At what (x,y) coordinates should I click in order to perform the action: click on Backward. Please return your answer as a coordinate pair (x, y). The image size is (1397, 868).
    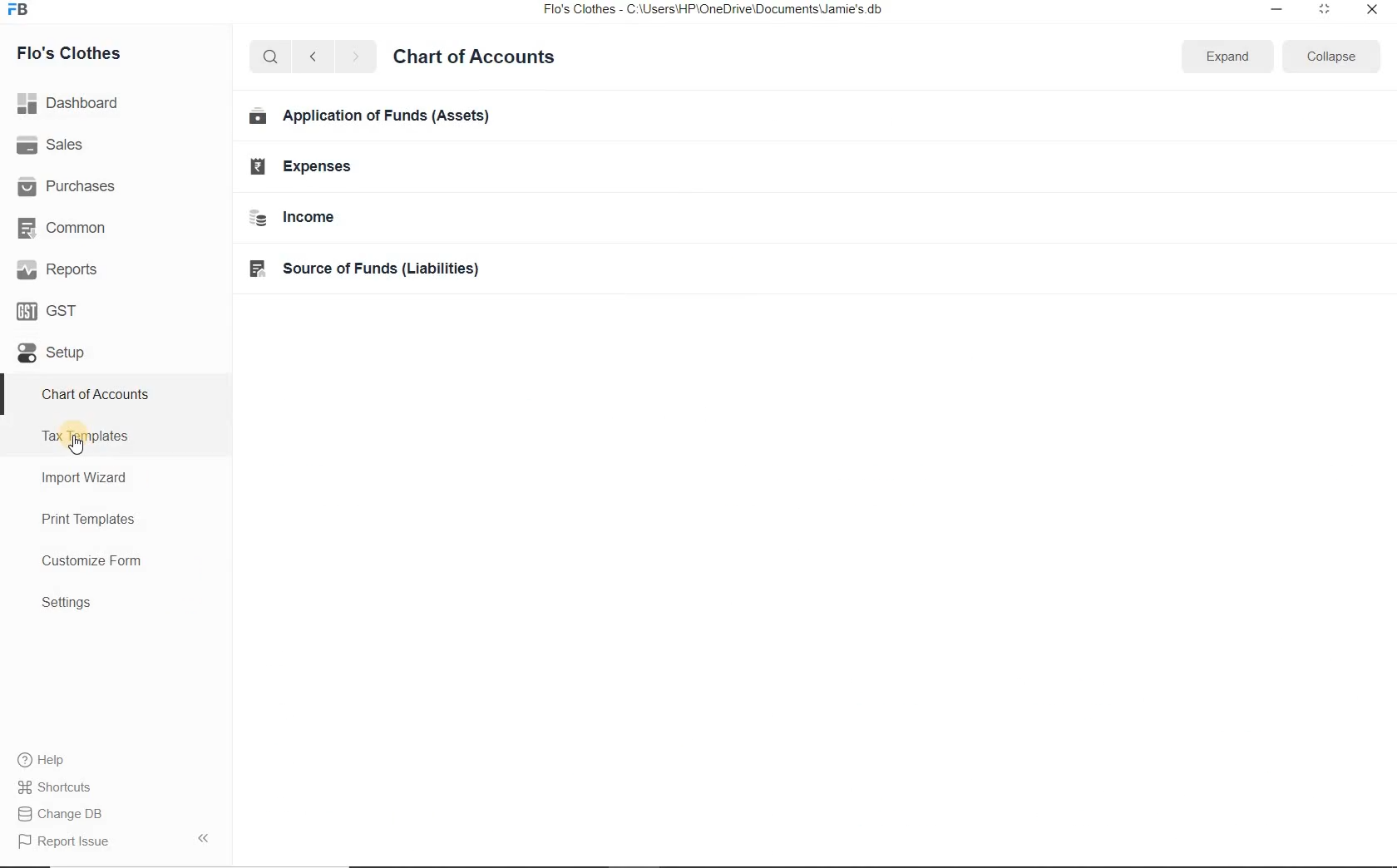
    Looking at the image, I should click on (313, 56).